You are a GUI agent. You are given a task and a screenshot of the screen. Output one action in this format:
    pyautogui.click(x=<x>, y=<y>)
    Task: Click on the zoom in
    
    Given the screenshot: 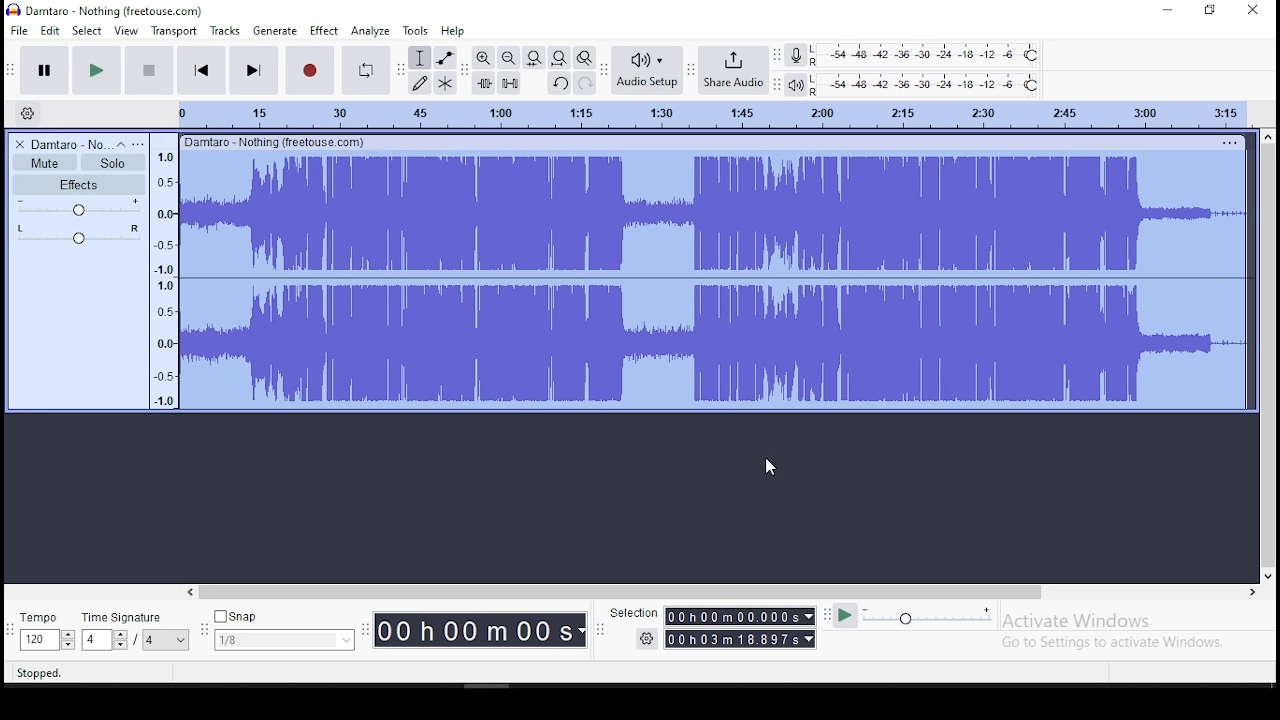 What is the action you would take?
    pyautogui.click(x=482, y=58)
    